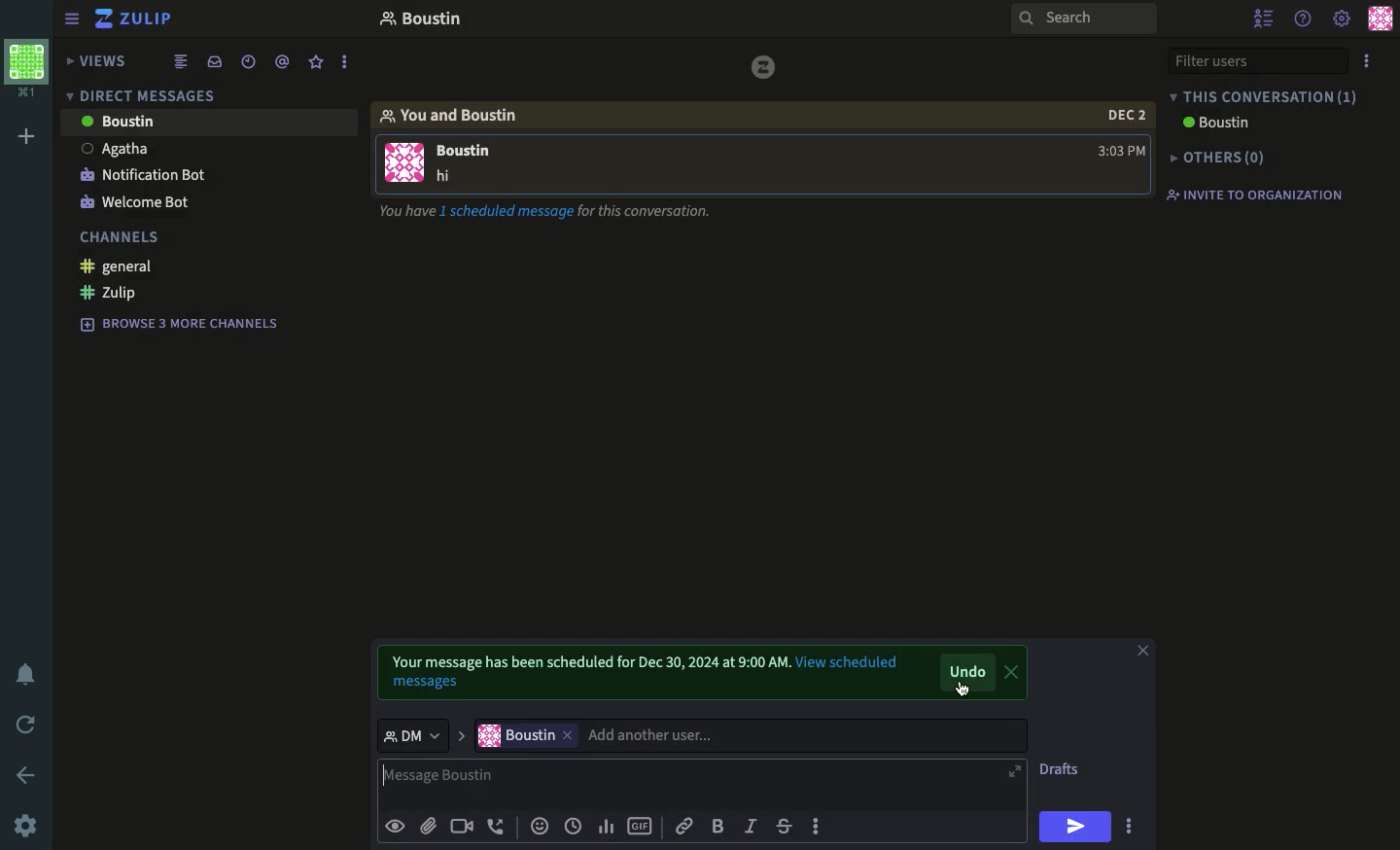  What do you see at coordinates (496, 824) in the screenshot?
I see `audio call` at bounding box center [496, 824].